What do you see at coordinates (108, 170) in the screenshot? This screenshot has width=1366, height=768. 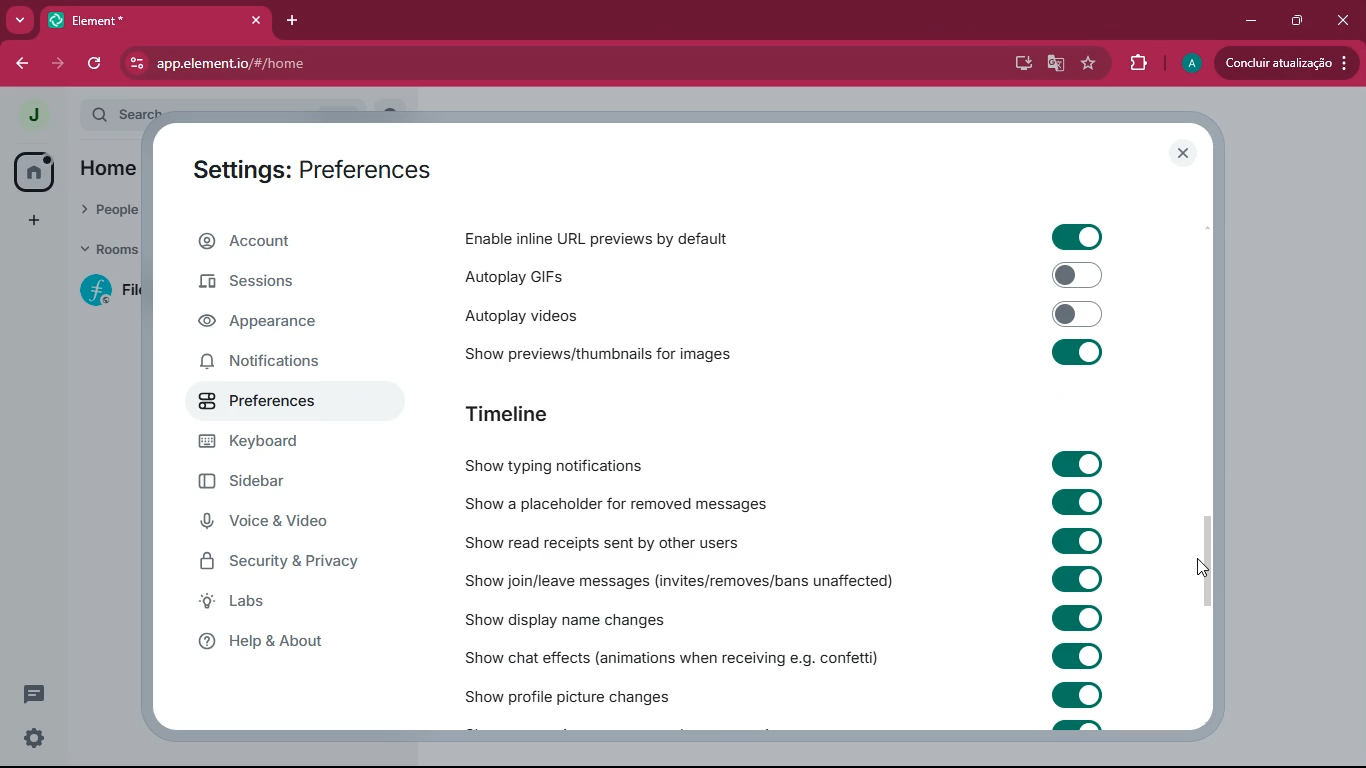 I see `home` at bounding box center [108, 170].